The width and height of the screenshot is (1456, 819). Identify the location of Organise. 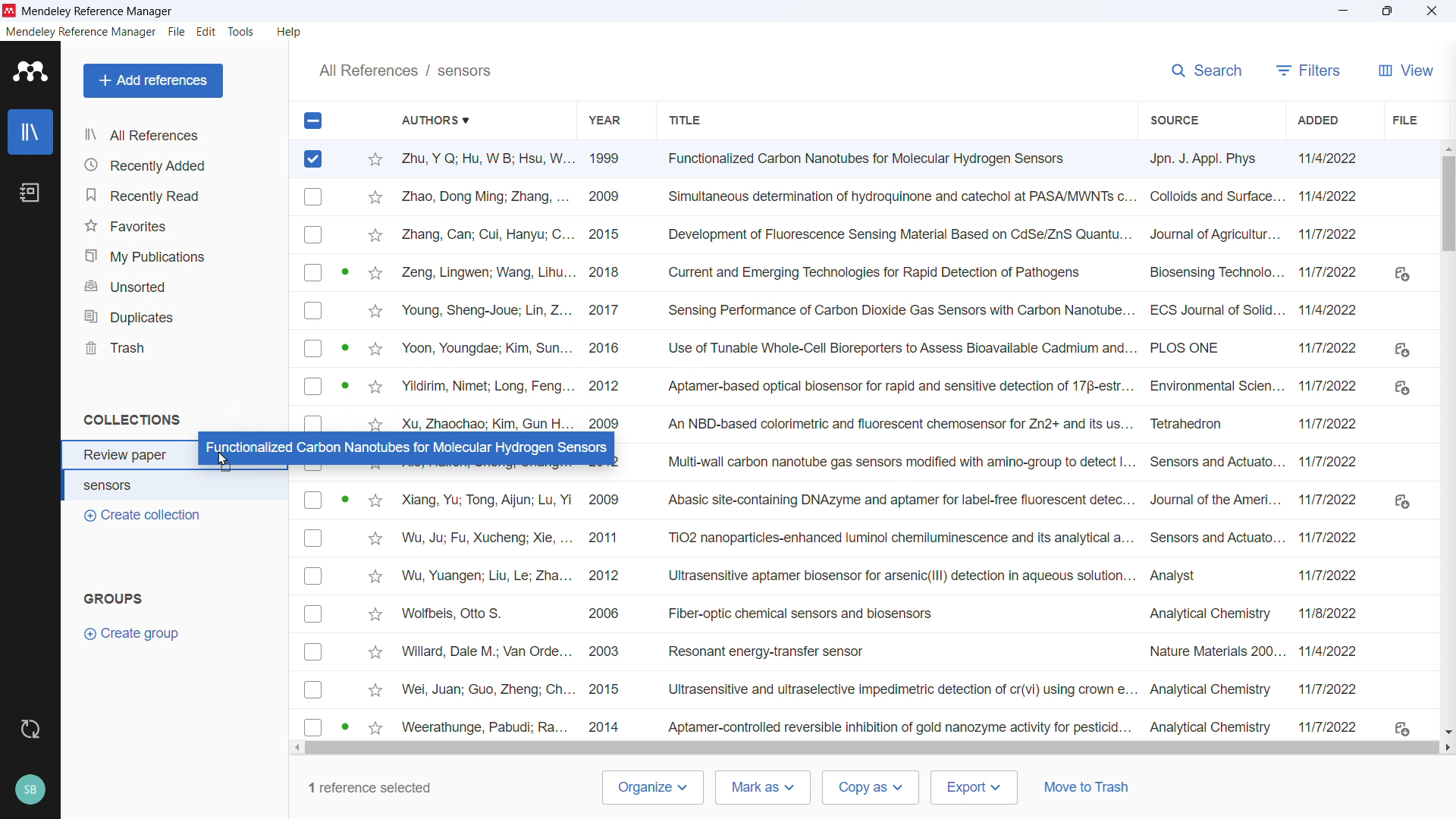
(652, 788).